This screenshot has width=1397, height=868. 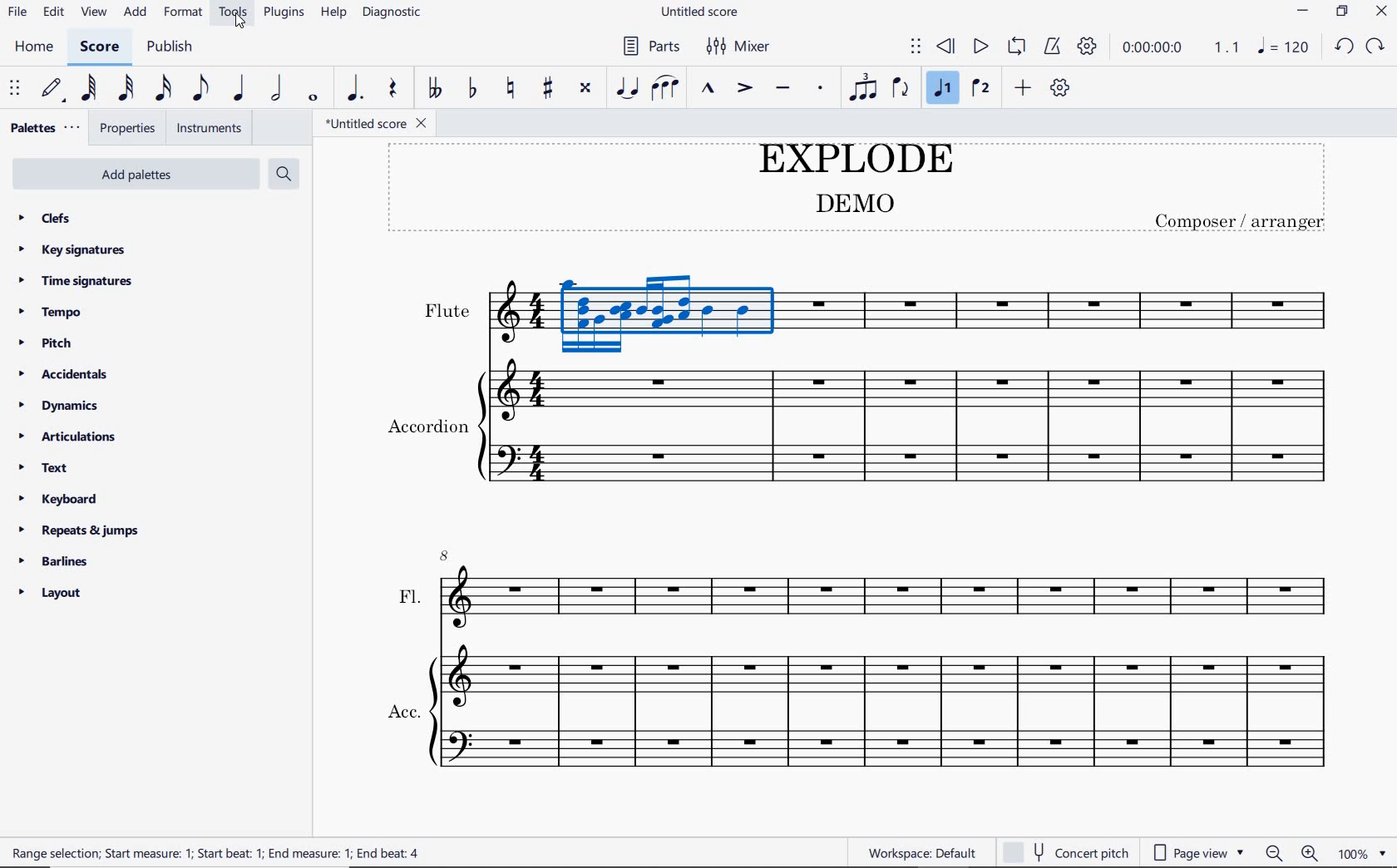 What do you see at coordinates (627, 86) in the screenshot?
I see `tie` at bounding box center [627, 86].